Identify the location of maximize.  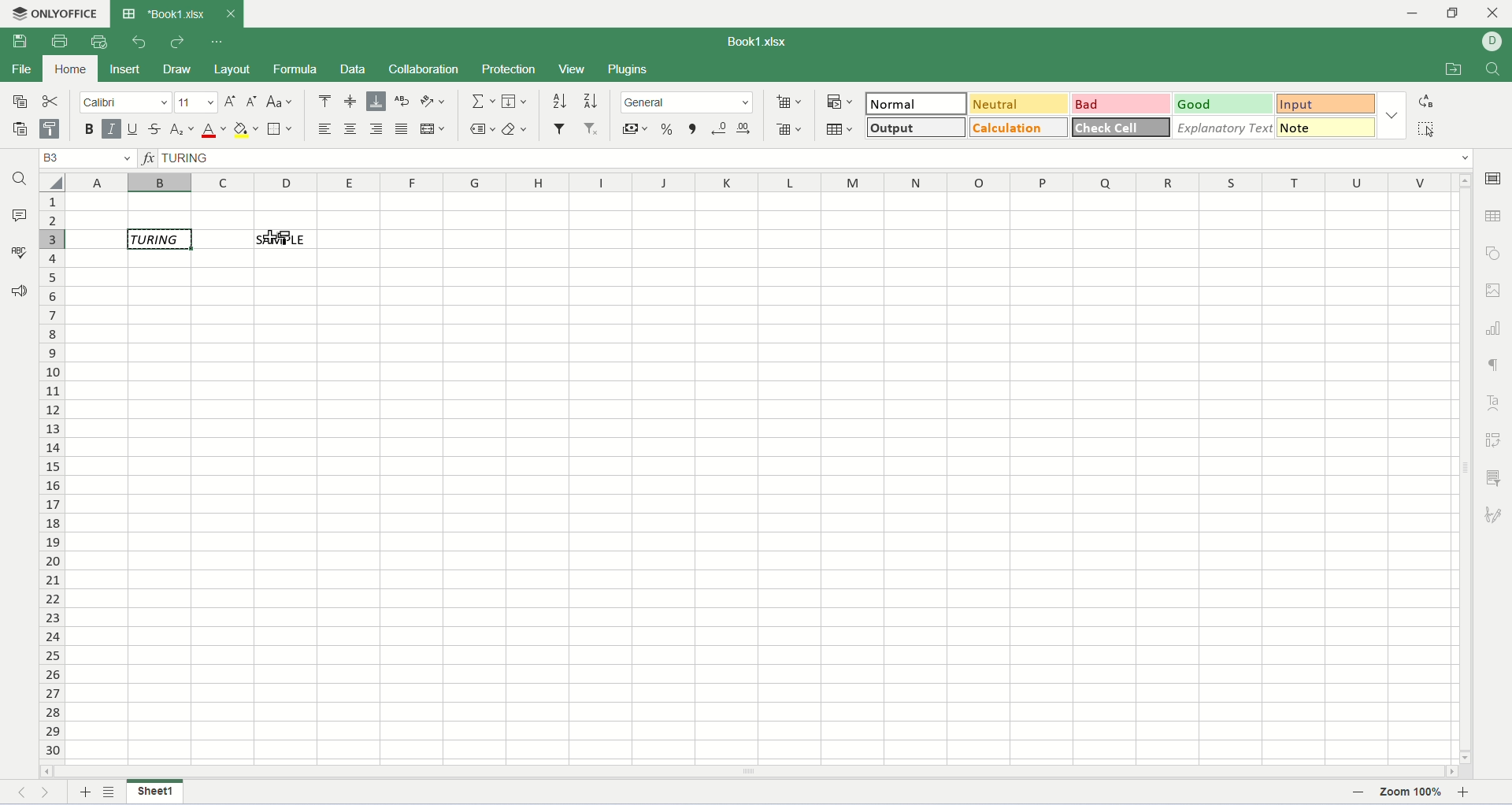
(1457, 15).